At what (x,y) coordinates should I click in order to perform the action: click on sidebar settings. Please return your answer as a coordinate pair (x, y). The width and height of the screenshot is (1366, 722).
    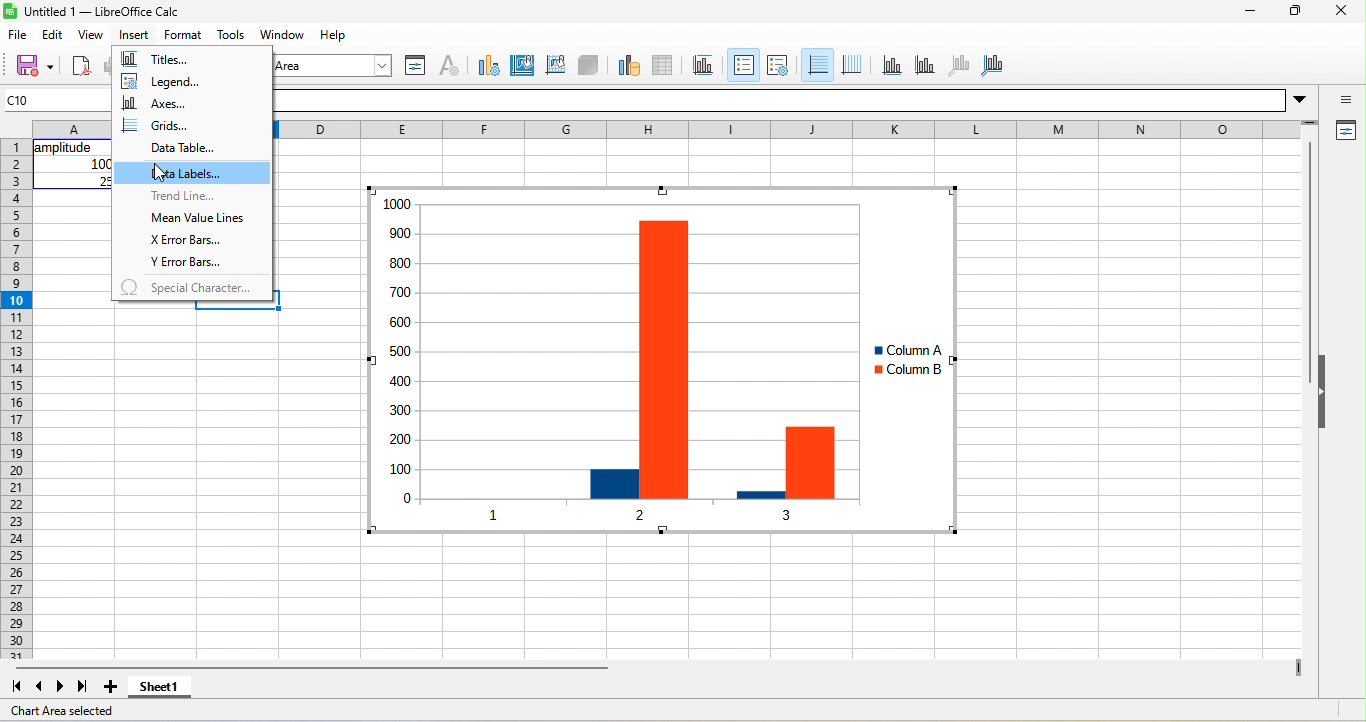
    Looking at the image, I should click on (1346, 101).